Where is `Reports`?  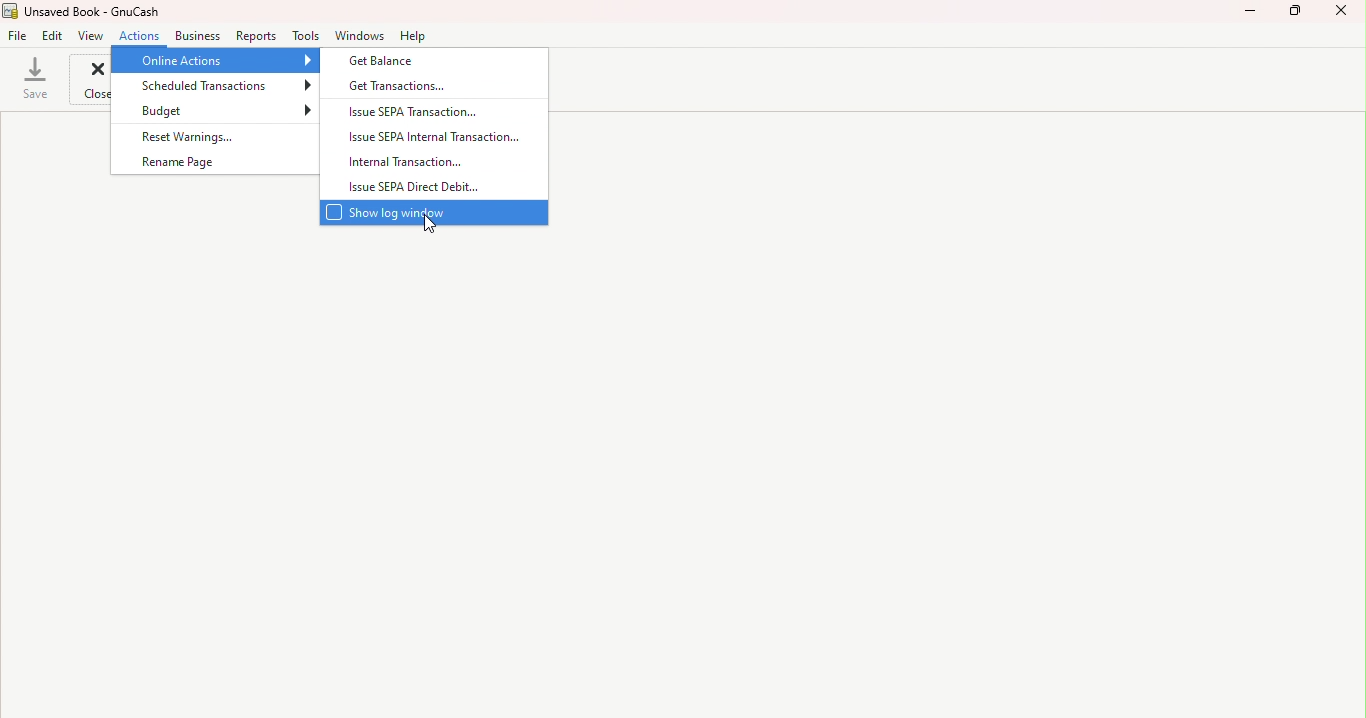 Reports is located at coordinates (254, 34).